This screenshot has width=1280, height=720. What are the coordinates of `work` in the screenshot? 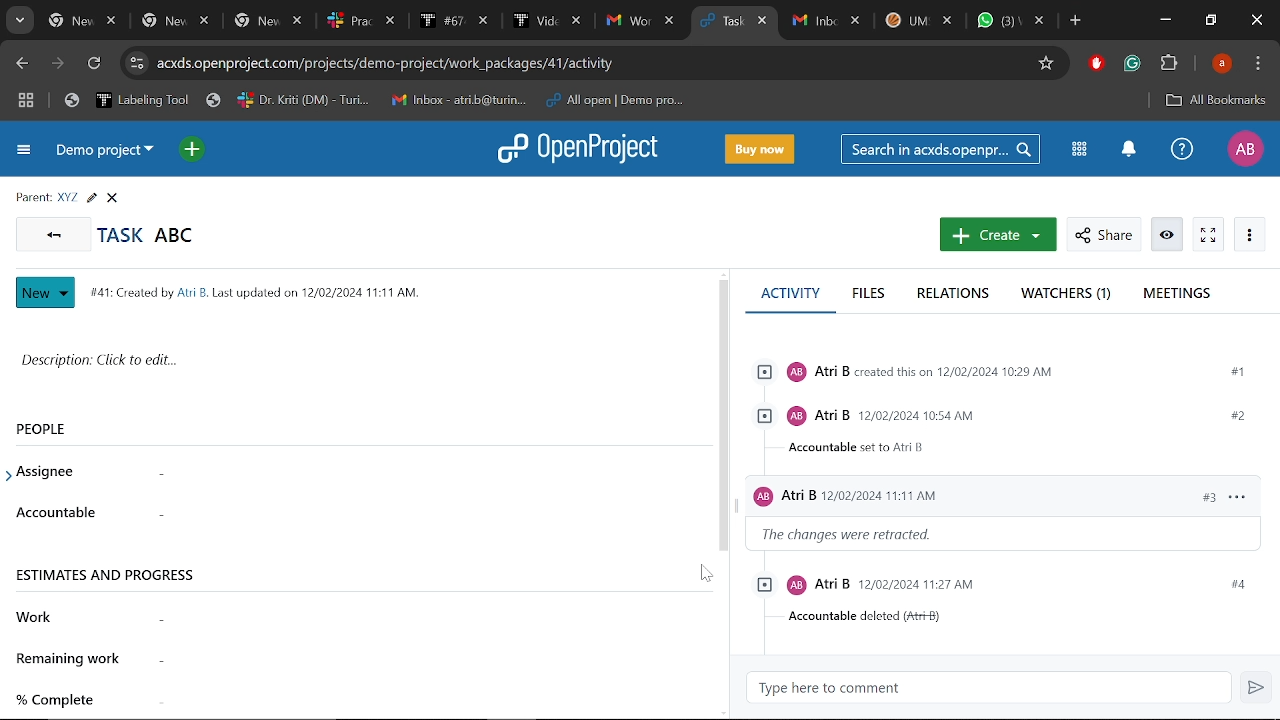 It's located at (34, 618).